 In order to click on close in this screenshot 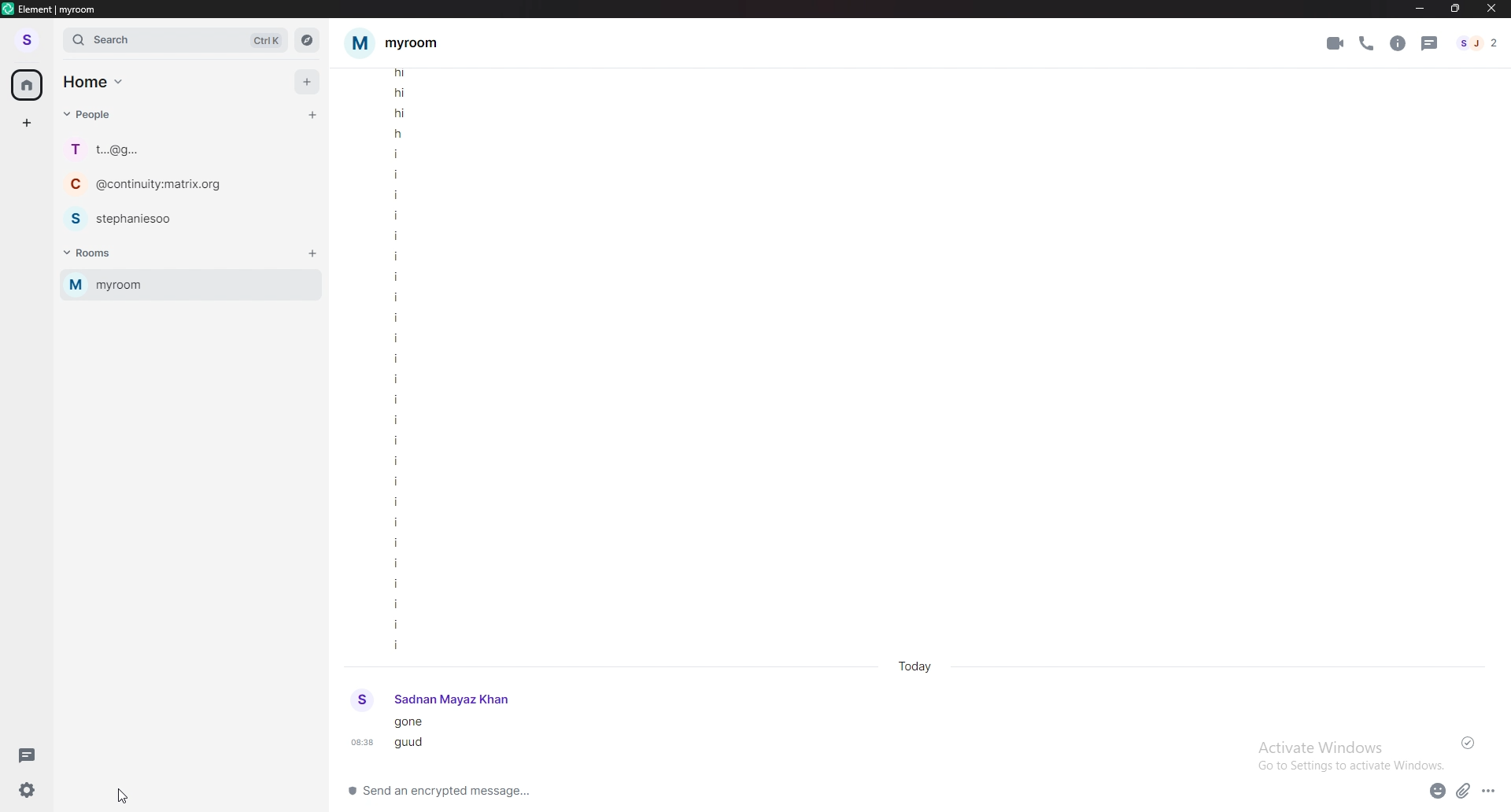, I will do `click(1492, 9)`.